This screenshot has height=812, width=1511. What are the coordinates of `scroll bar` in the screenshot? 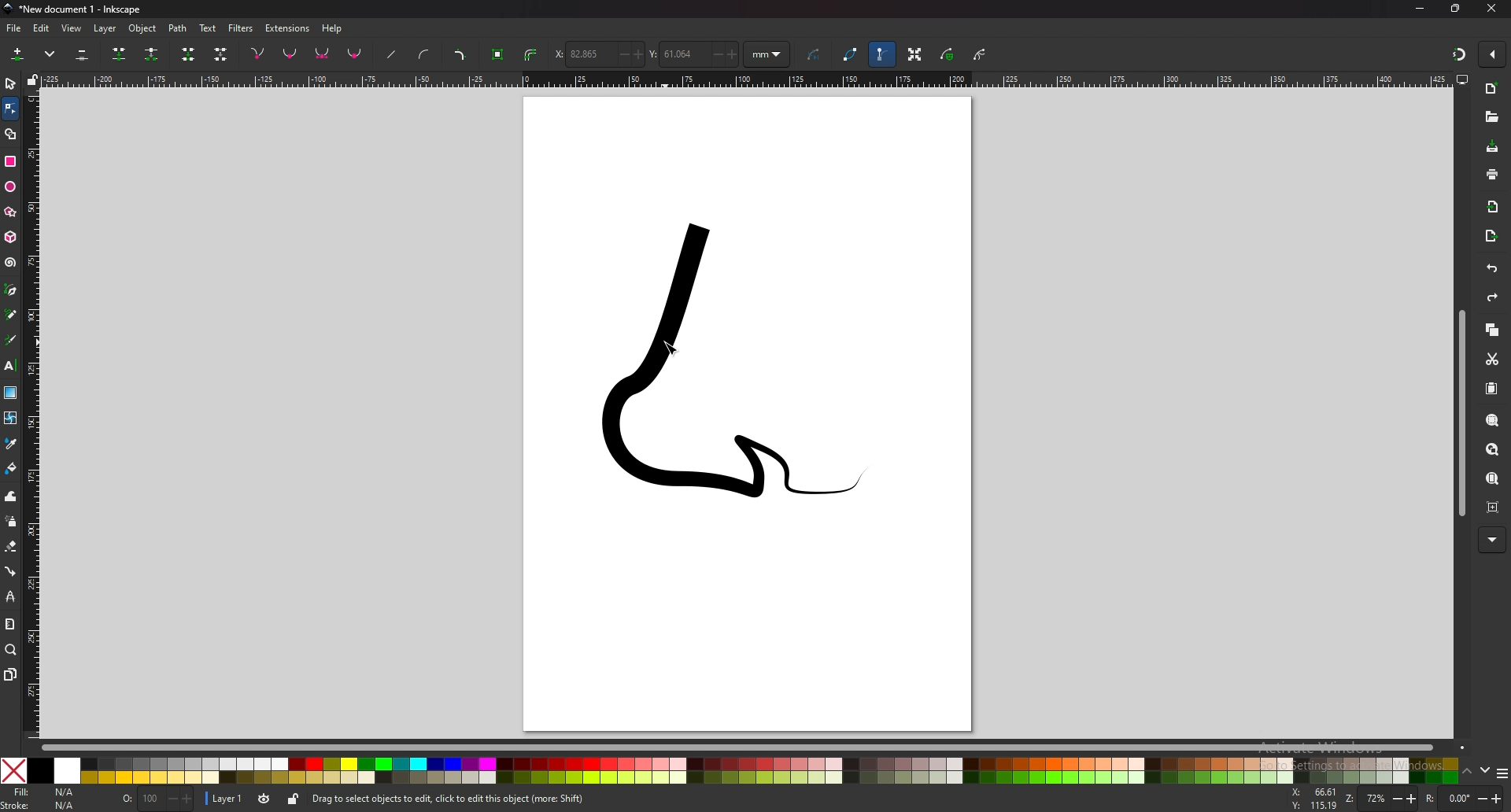 It's located at (1461, 413).